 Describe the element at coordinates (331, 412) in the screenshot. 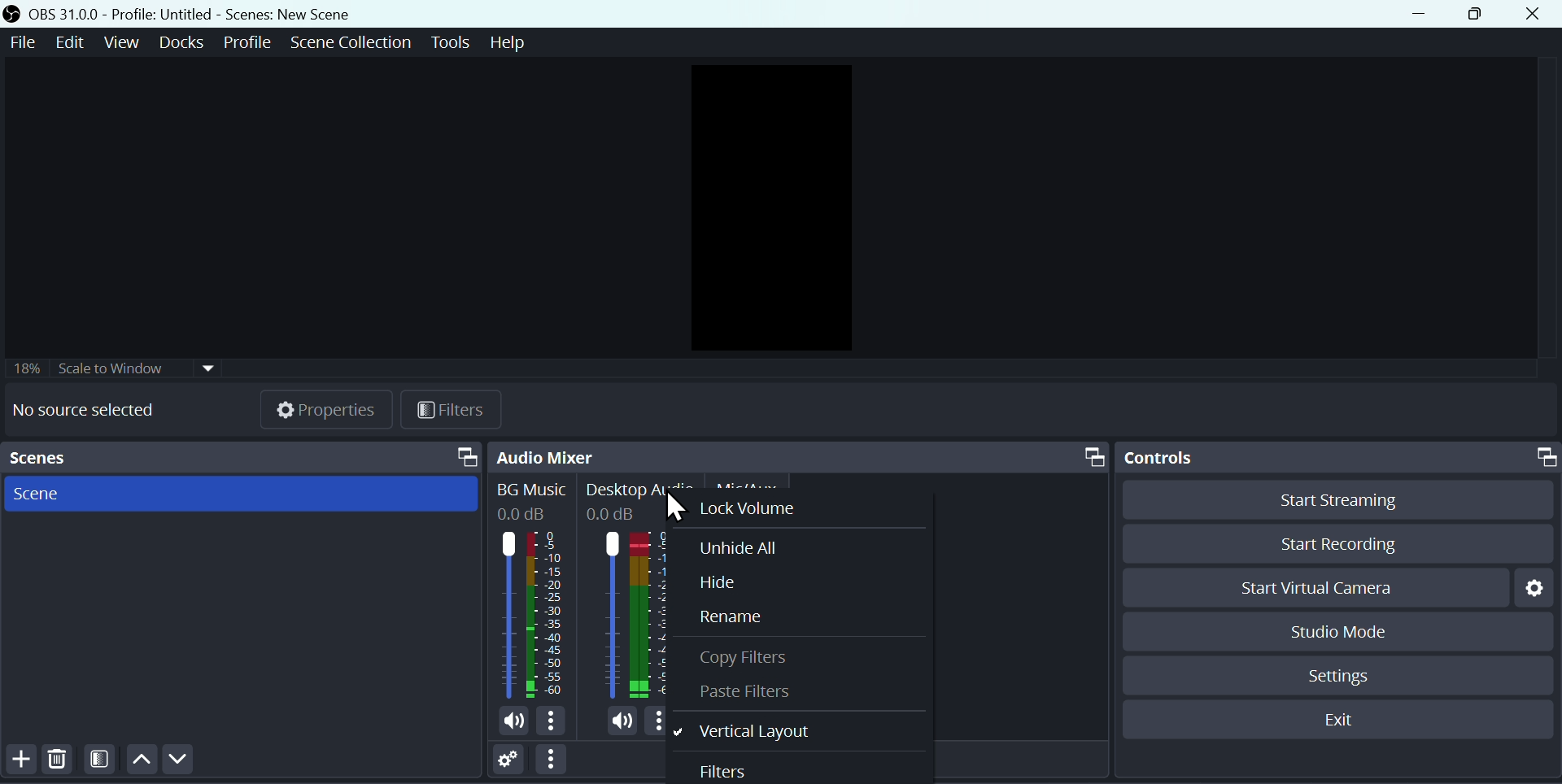

I see `Properties` at that location.